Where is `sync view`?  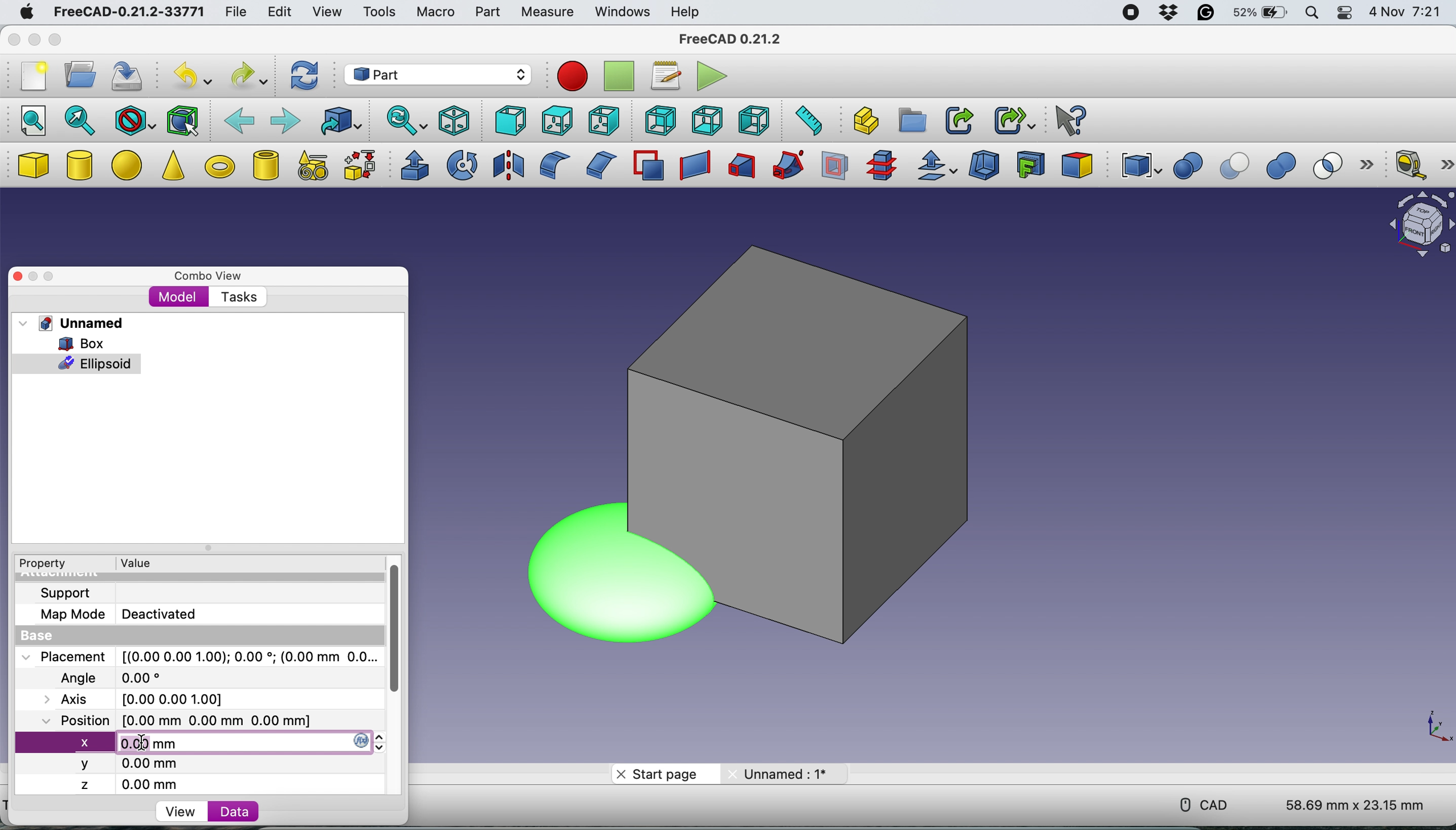 sync view is located at coordinates (404, 122).